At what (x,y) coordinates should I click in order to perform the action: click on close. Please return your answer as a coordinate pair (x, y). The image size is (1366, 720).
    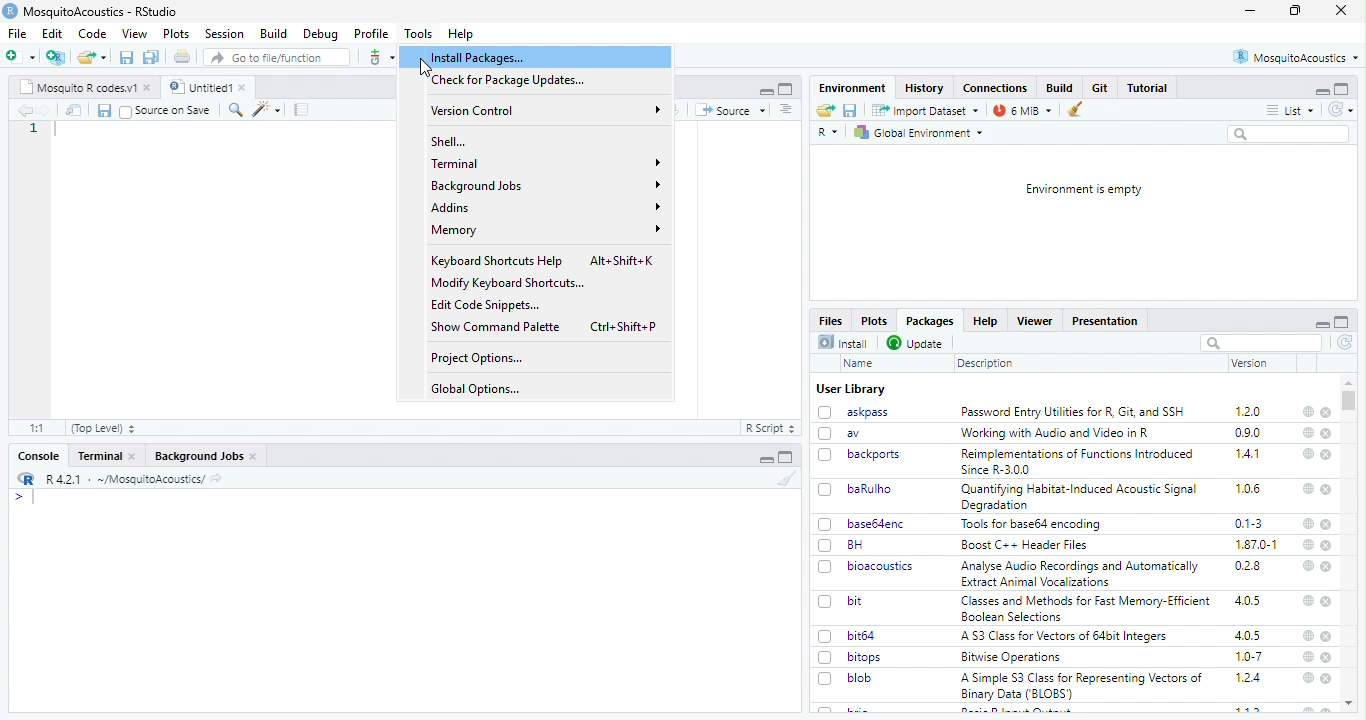
    Looking at the image, I should click on (245, 87).